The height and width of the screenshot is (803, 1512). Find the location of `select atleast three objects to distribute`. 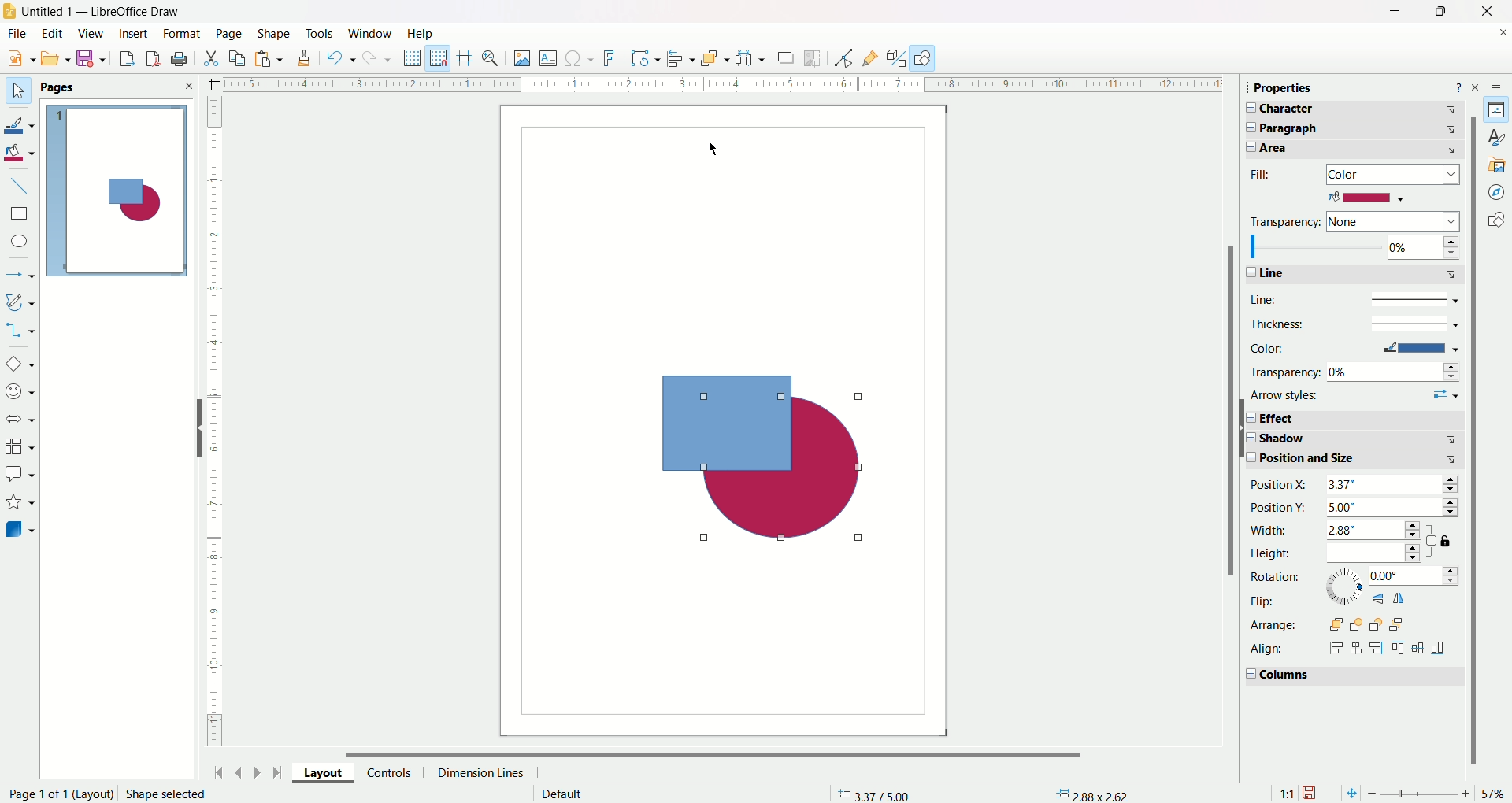

select atleast three objects to distribute is located at coordinates (750, 58).